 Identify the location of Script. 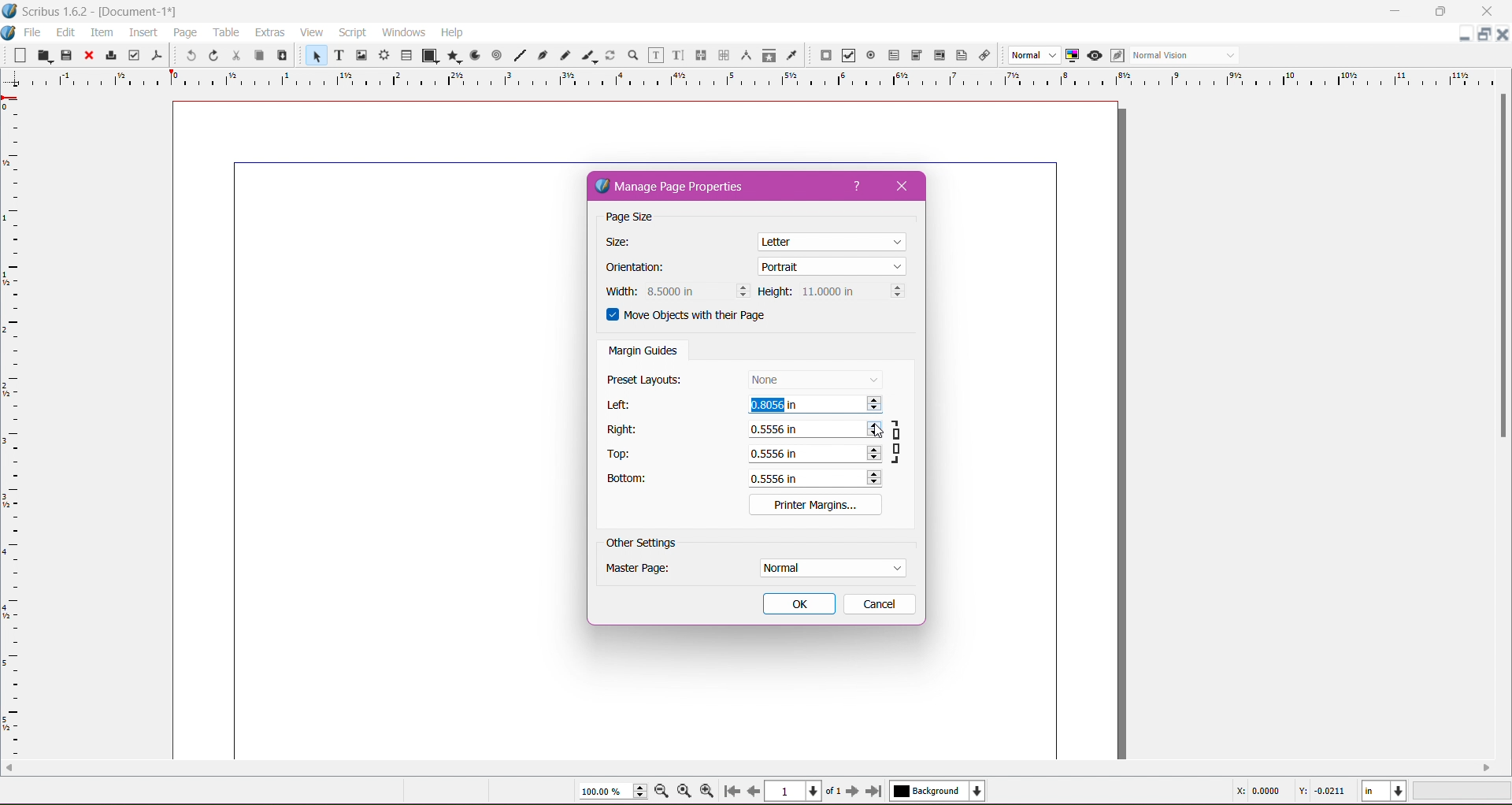
(352, 32).